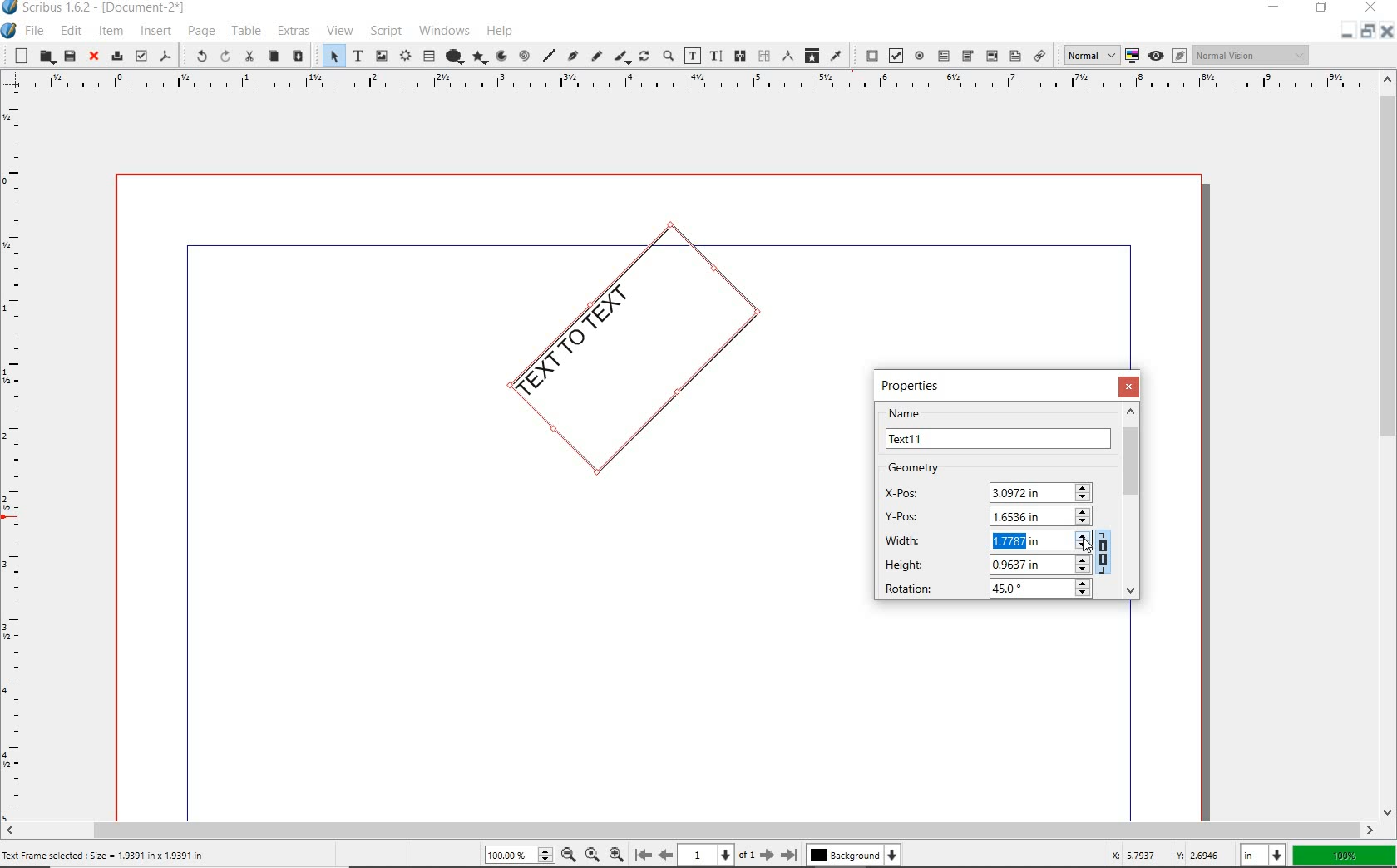  I want to click on edit contents of frame, so click(693, 55).